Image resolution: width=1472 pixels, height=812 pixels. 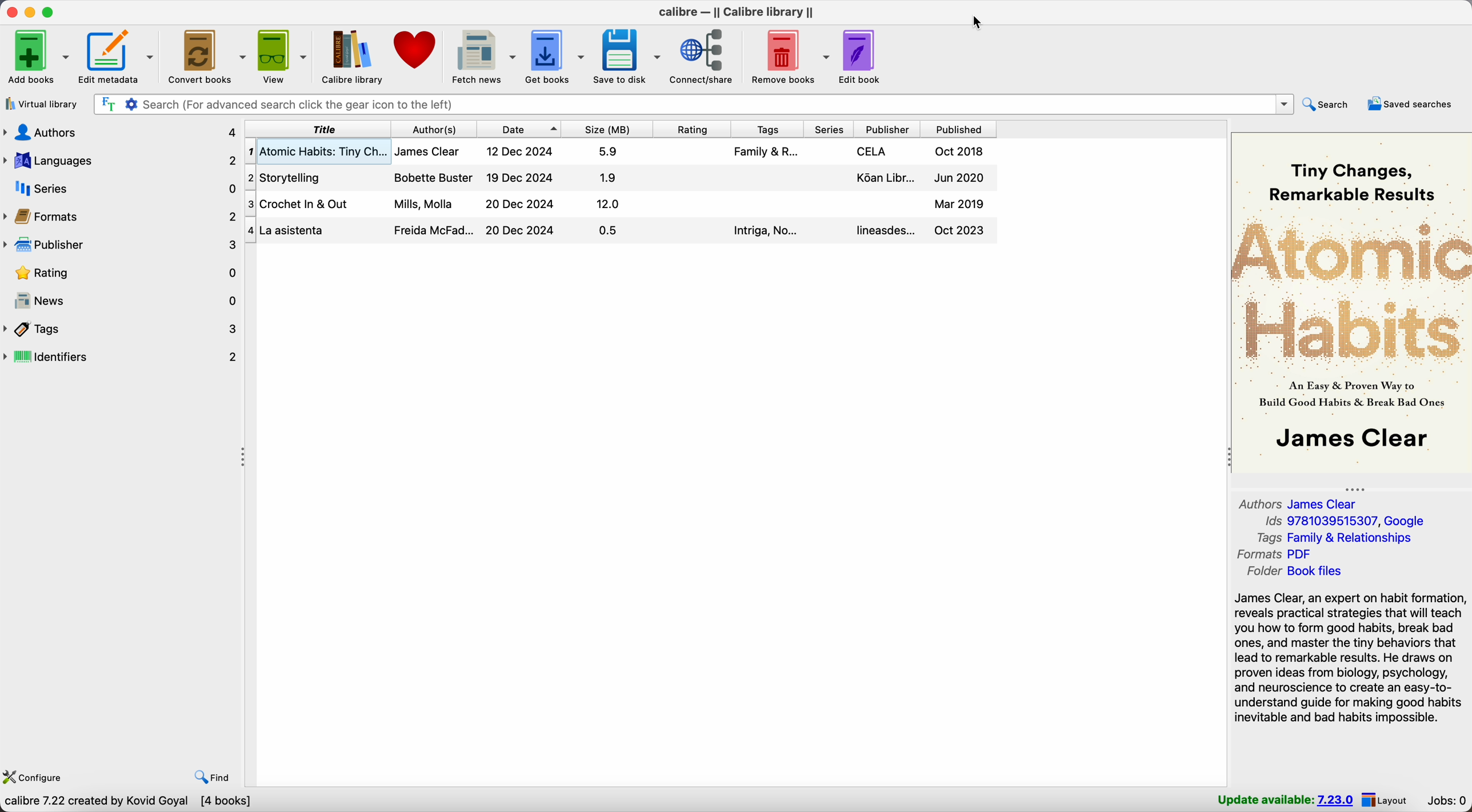 What do you see at coordinates (433, 129) in the screenshot?
I see `author(s)` at bounding box center [433, 129].